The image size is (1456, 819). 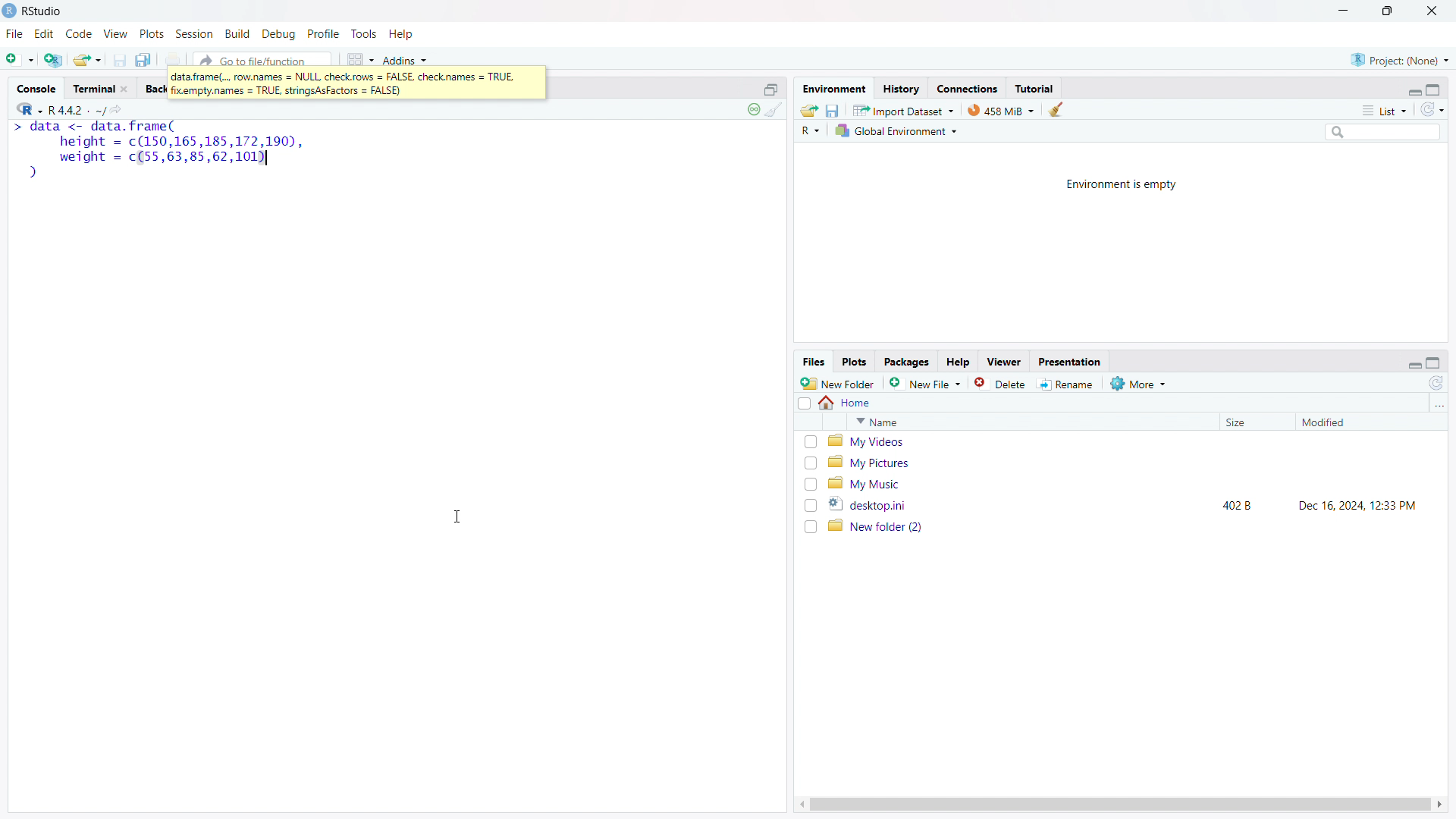 I want to click on open an existing file, so click(x=88, y=59).